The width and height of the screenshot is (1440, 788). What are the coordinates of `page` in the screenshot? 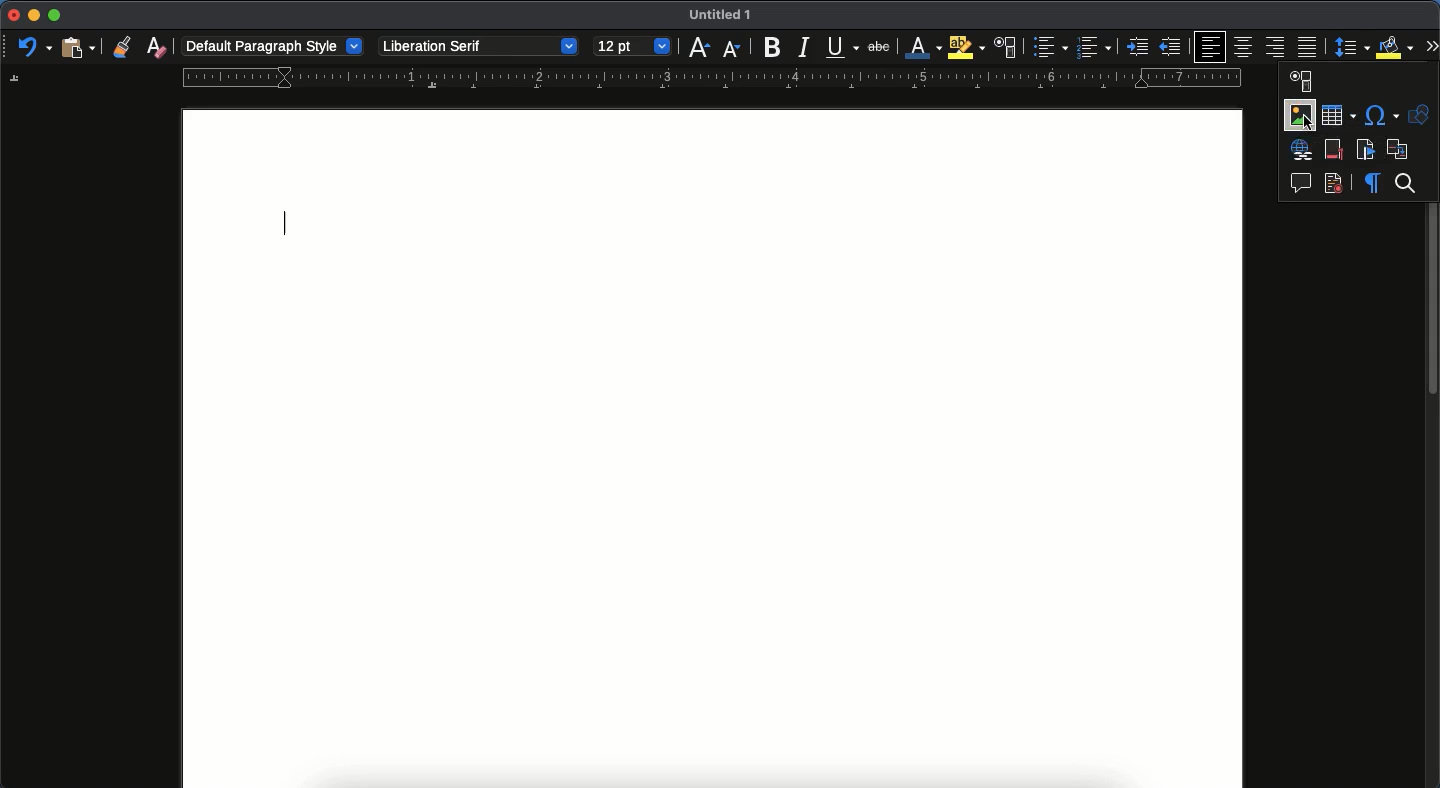 It's located at (712, 448).